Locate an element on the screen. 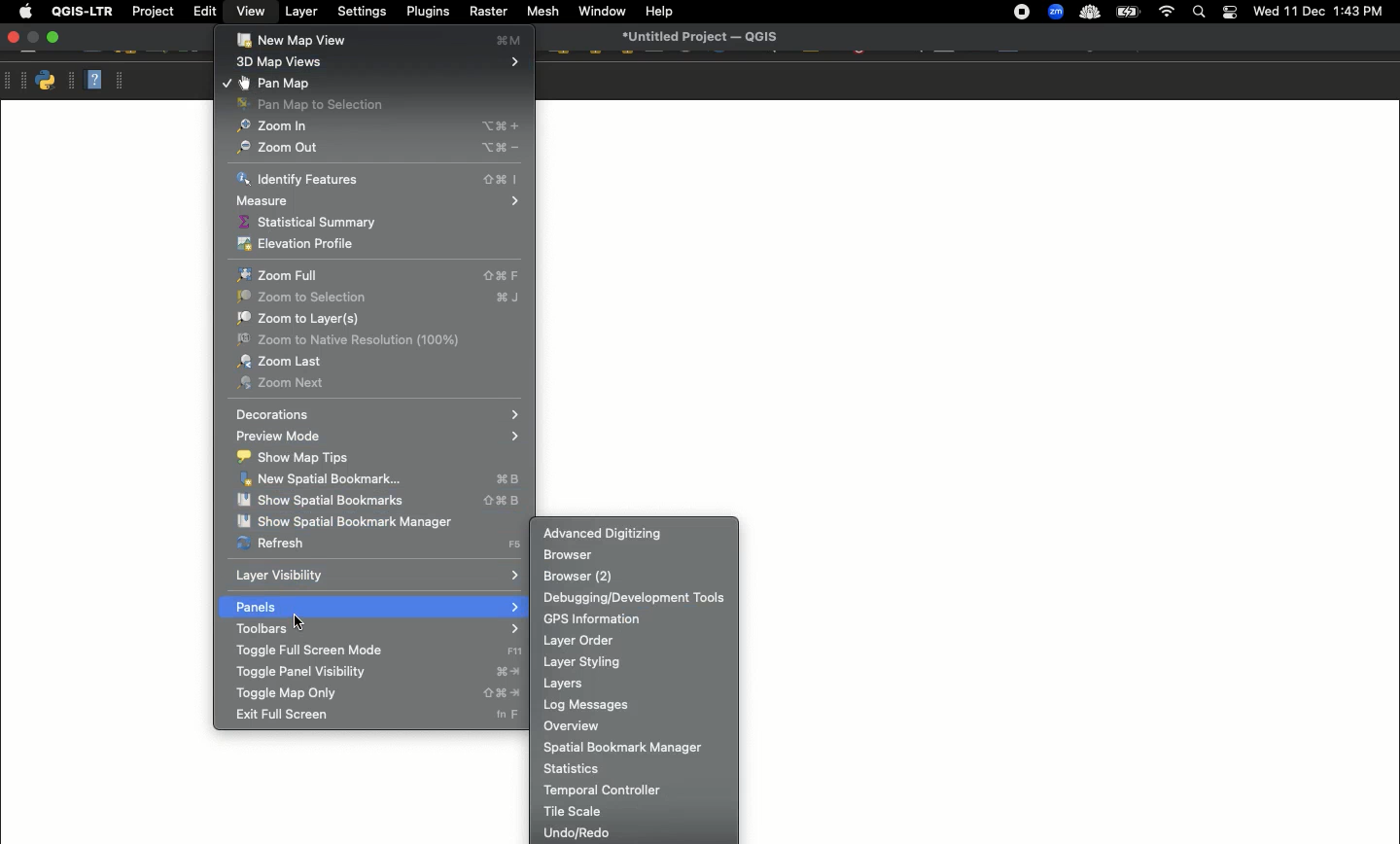  Panels  is located at coordinates (377, 606).